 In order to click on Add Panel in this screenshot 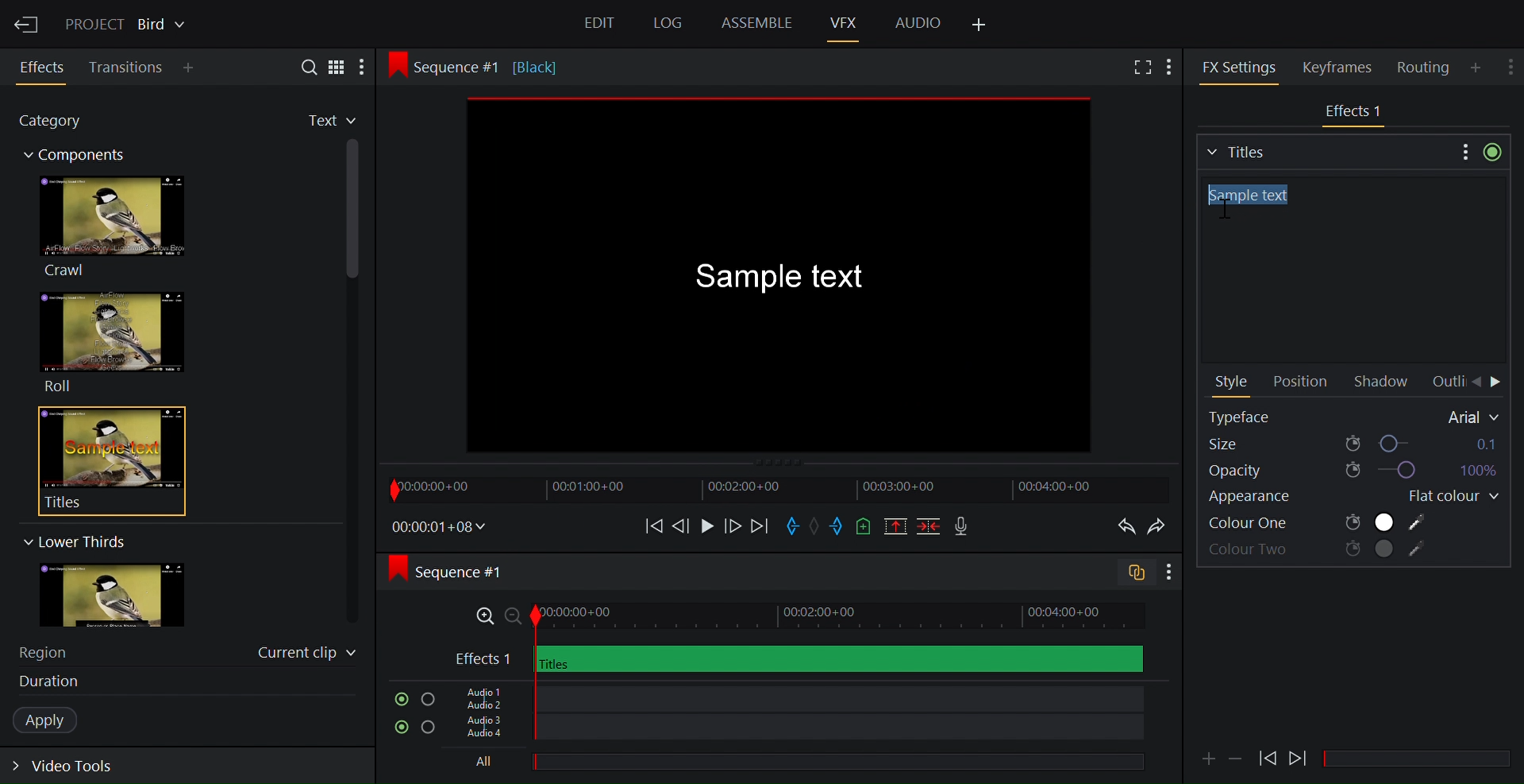, I will do `click(980, 25)`.